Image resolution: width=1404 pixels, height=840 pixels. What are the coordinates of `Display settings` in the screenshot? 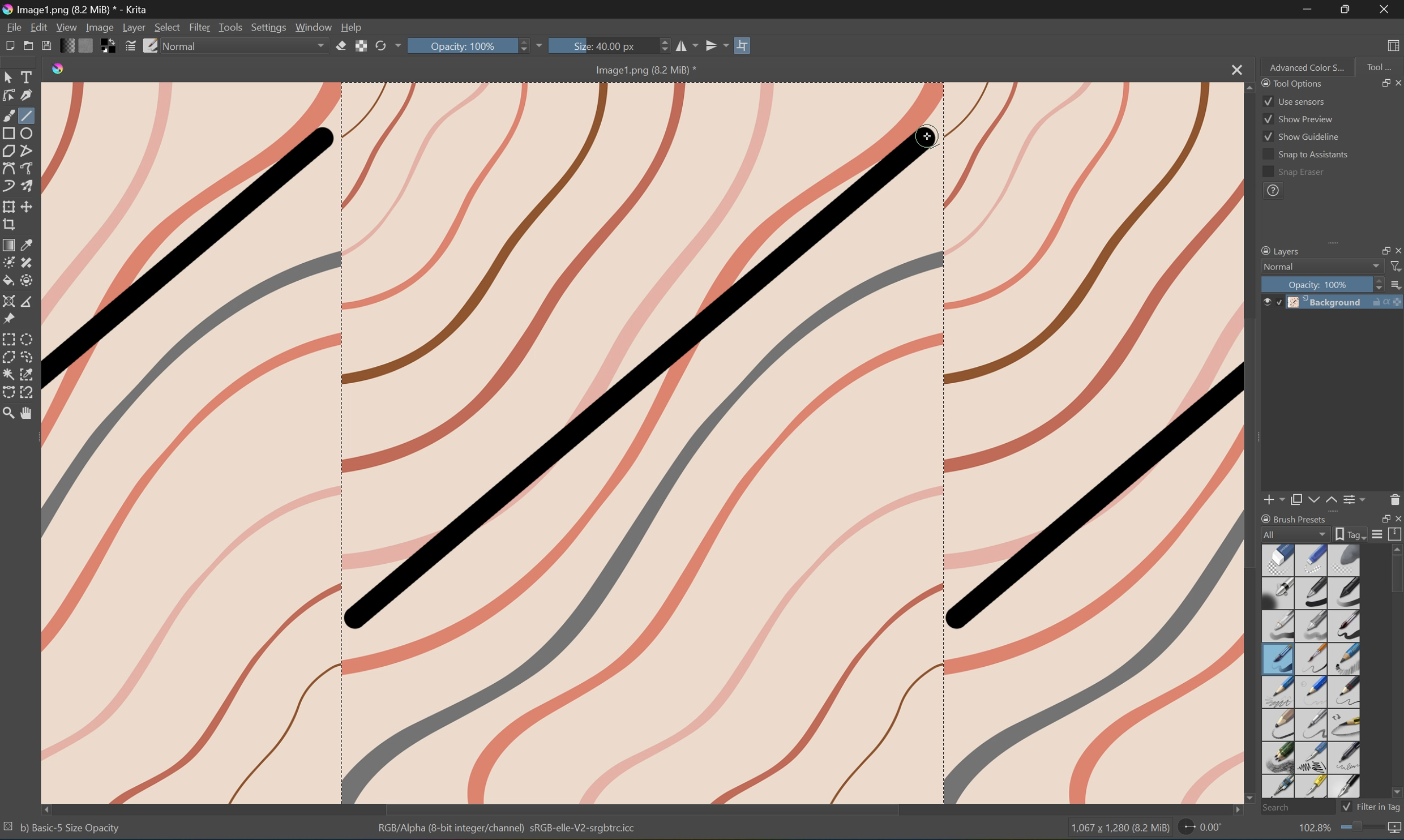 It's located at (1379, 535).